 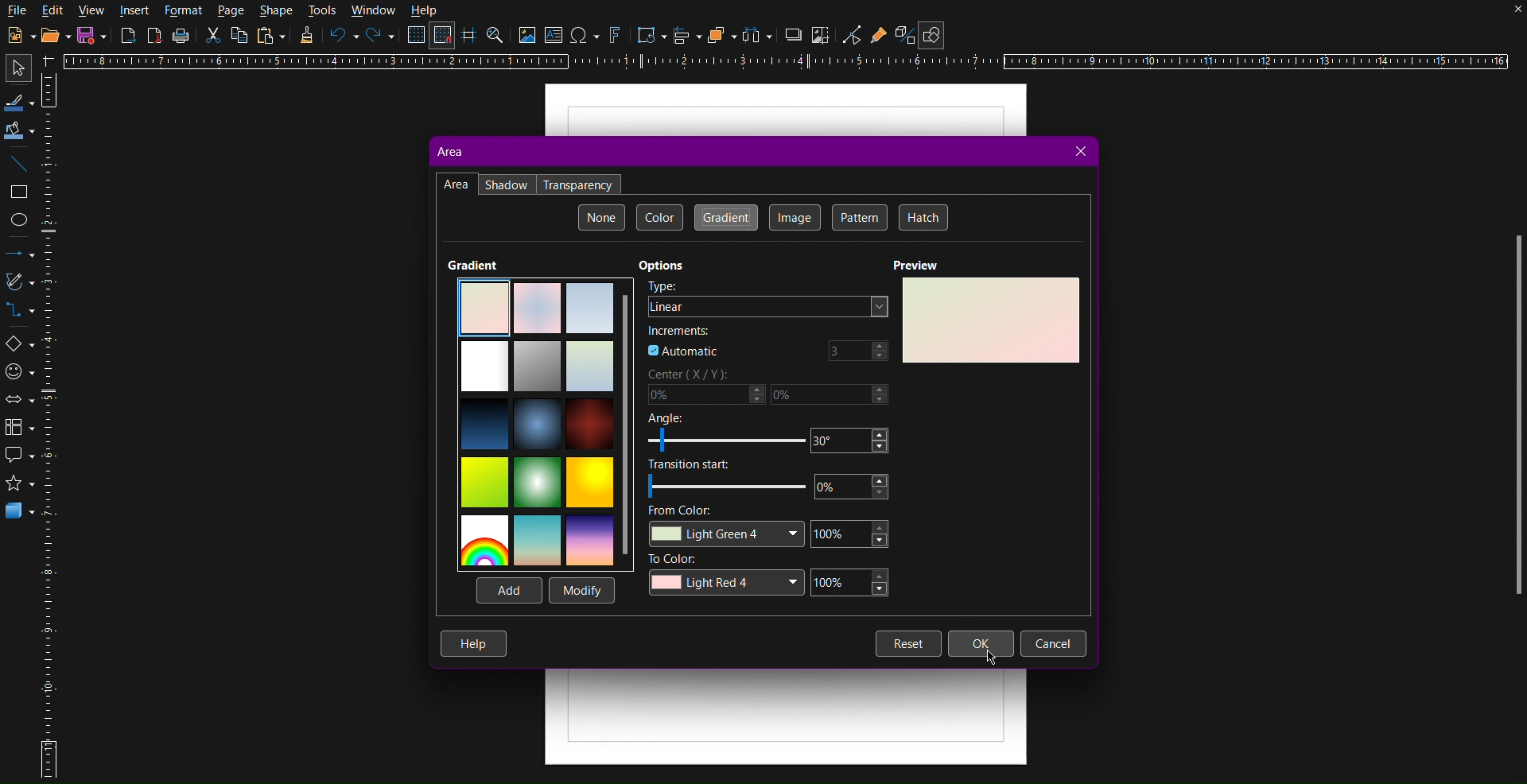 What do you see at coordinates (588, 35) in the screenshot?
I see `Insert Special Character` at bounding box center [588, 35].